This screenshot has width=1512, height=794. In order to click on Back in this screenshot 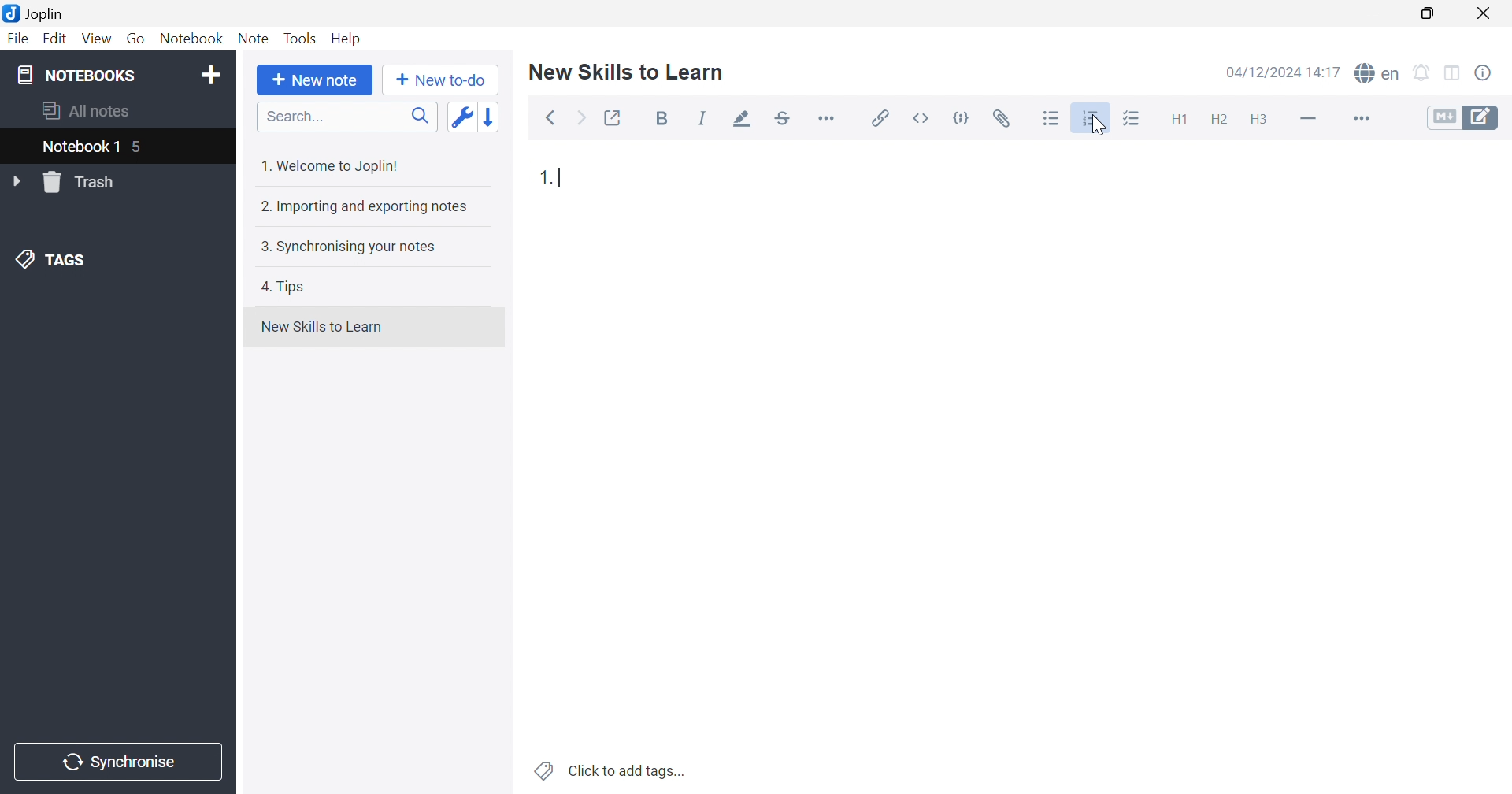, I will do `click(550, 119)`.